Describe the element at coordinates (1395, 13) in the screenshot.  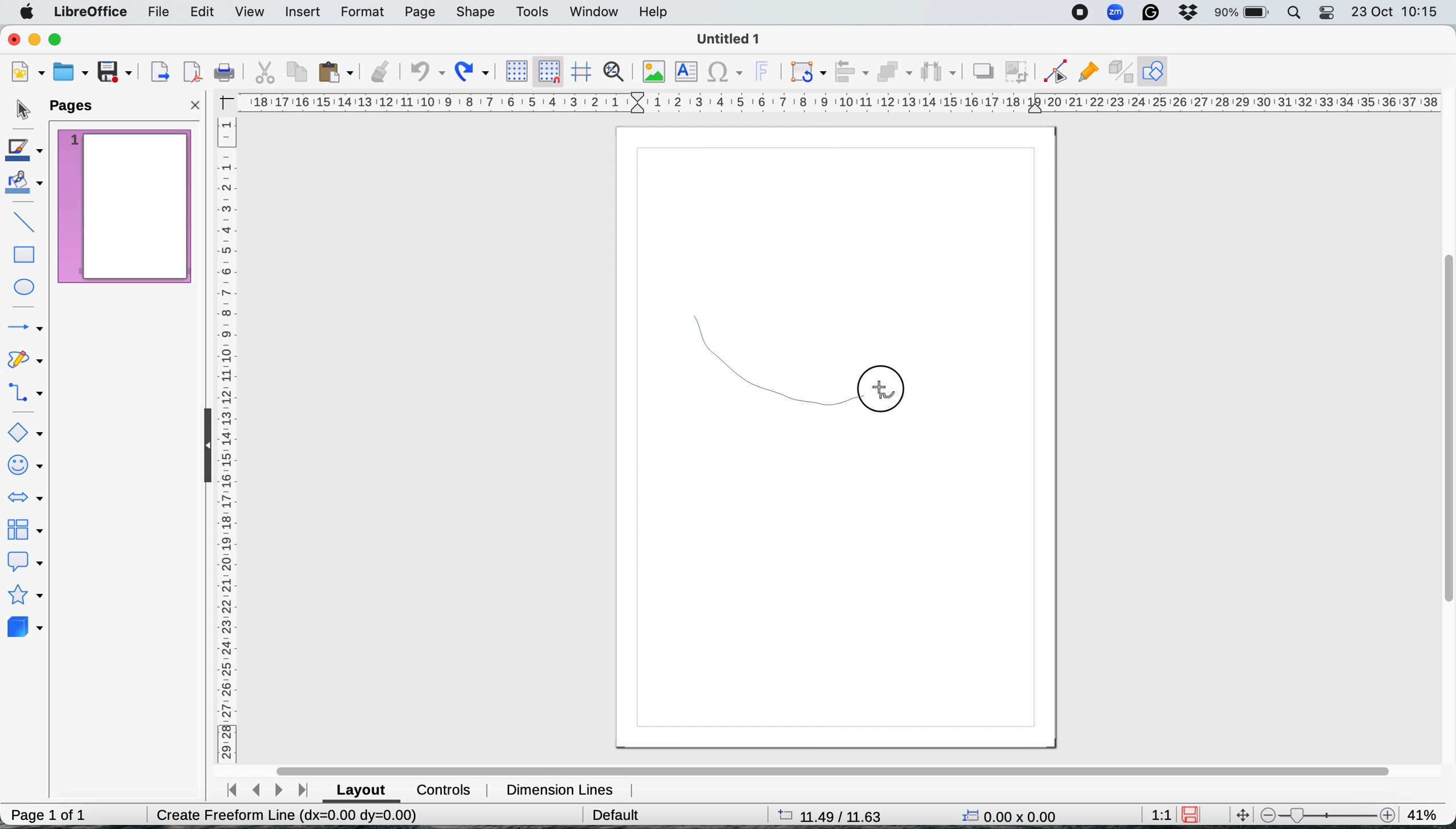
I see `date and time` at that location.